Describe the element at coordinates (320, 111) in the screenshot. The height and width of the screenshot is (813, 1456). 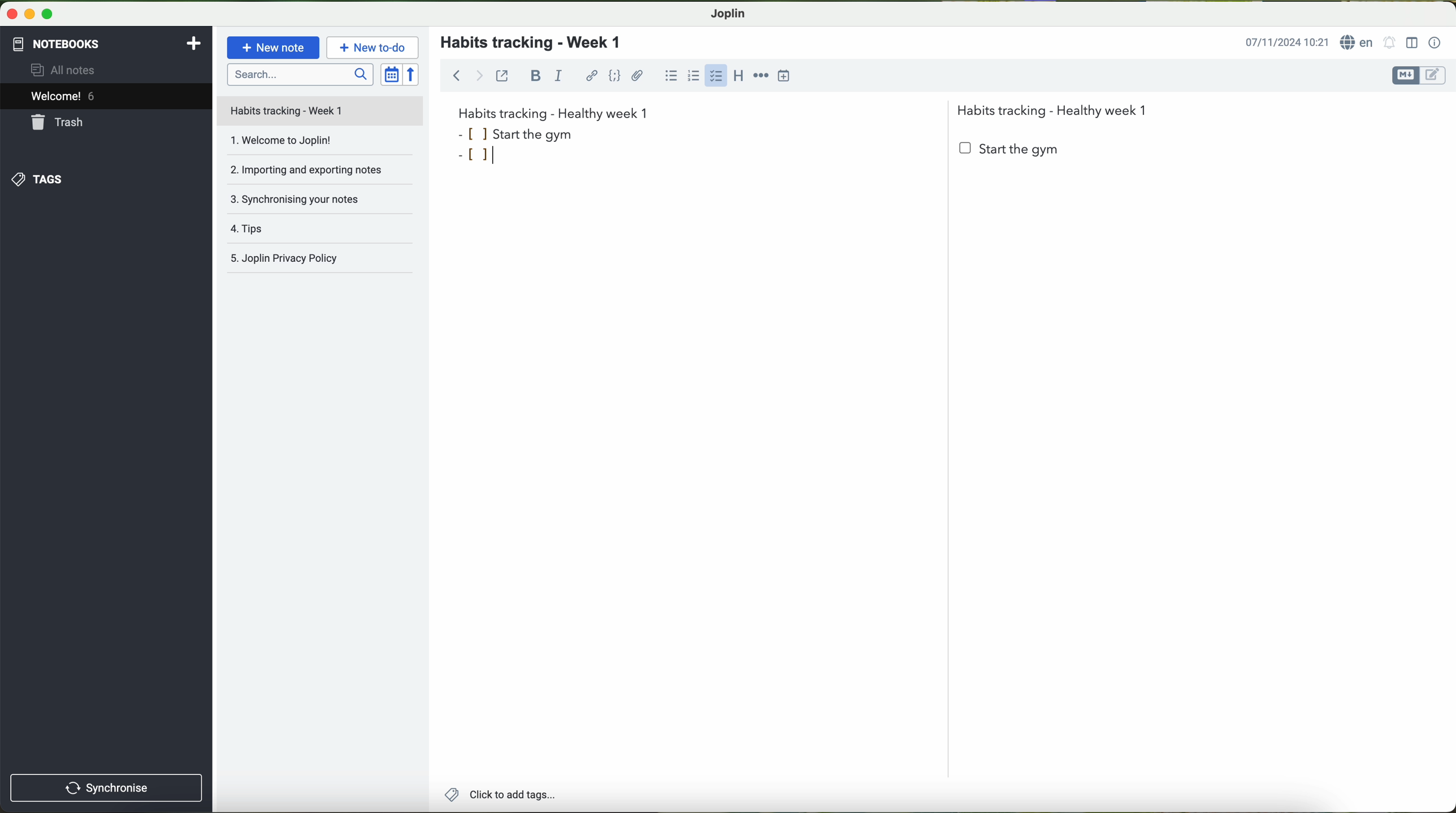
I see `file title` at that location.